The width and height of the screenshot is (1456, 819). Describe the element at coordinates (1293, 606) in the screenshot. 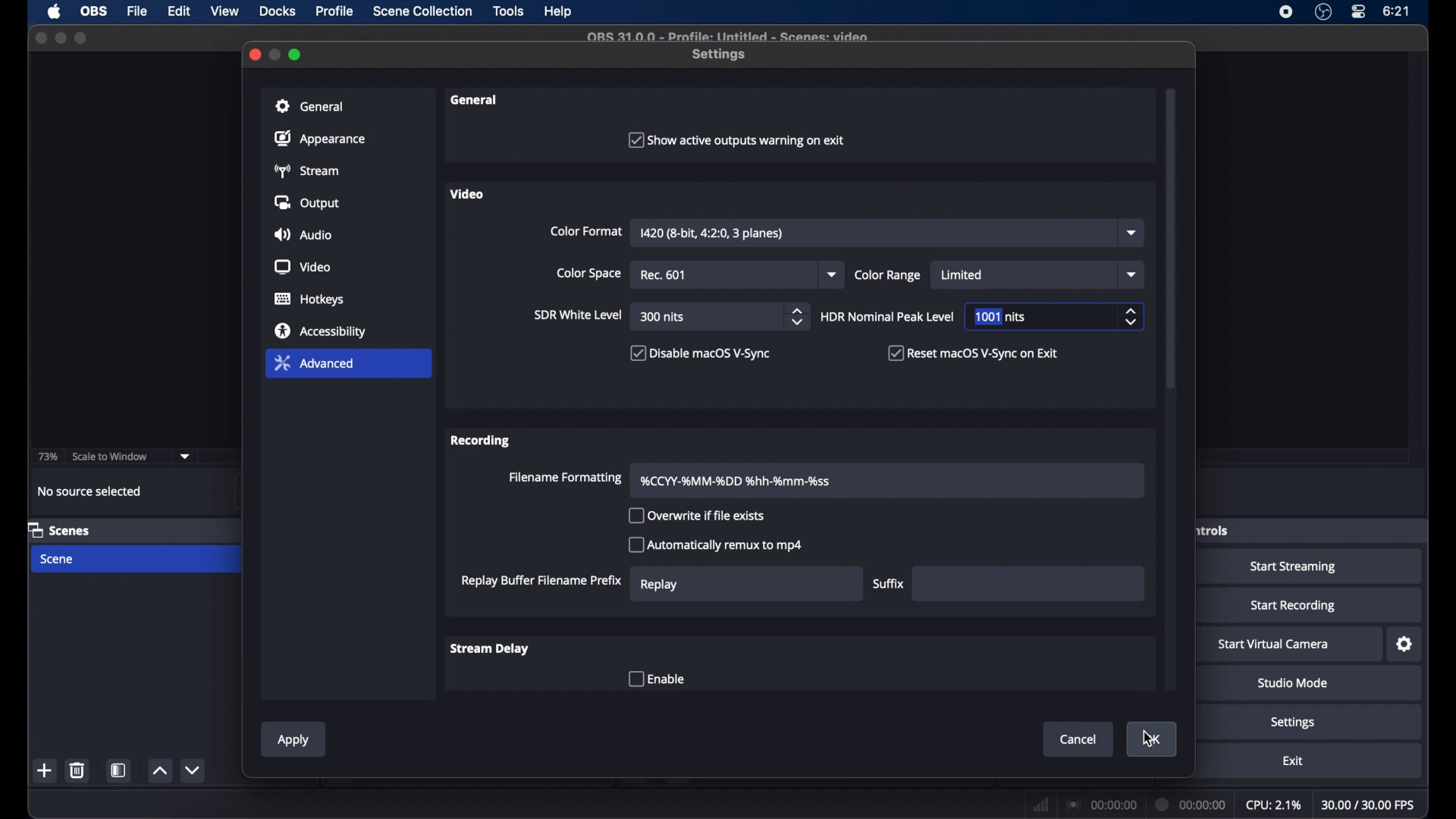

I see `start recording` at that location.